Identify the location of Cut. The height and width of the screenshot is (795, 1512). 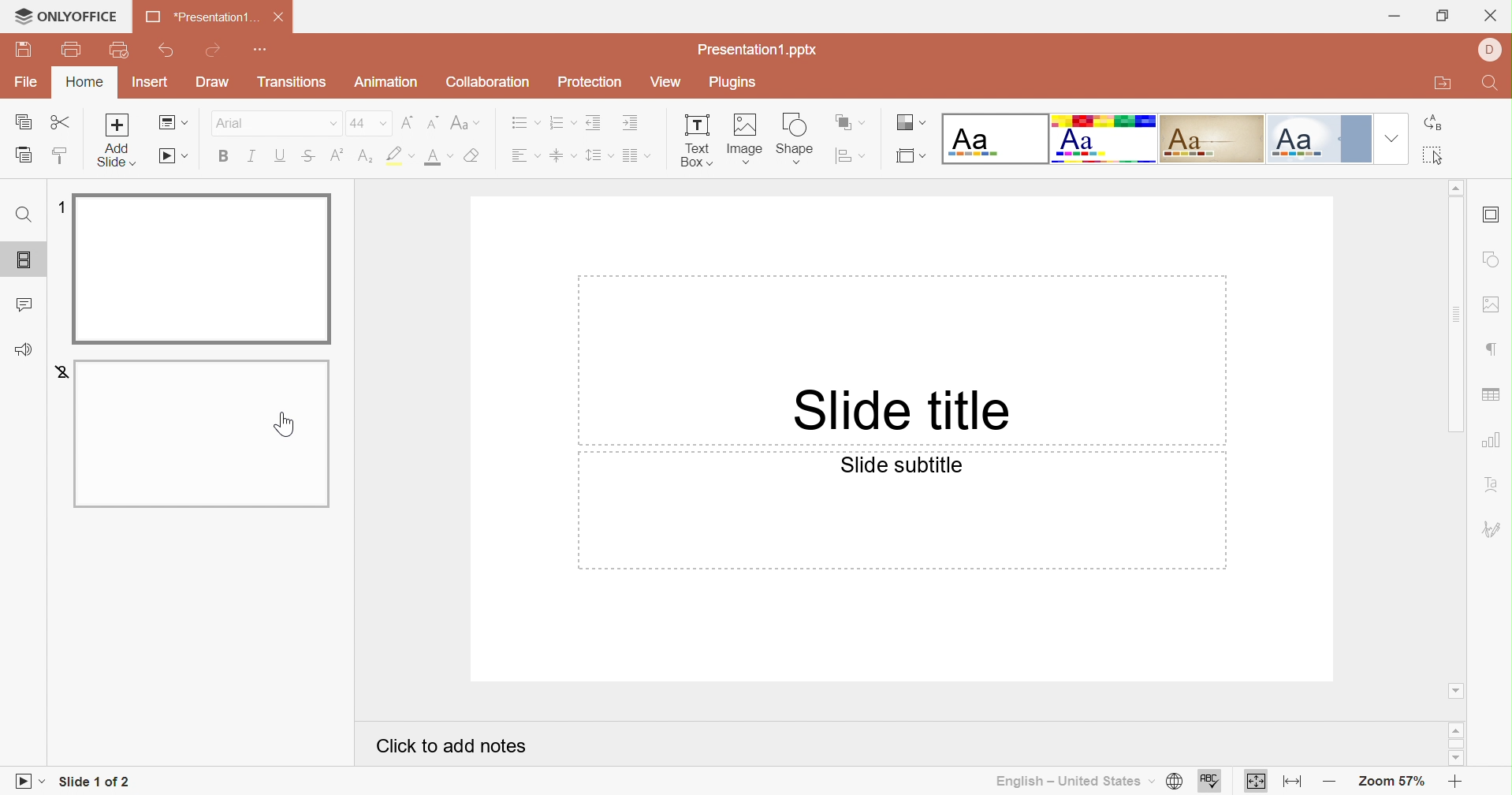
(65, 122).